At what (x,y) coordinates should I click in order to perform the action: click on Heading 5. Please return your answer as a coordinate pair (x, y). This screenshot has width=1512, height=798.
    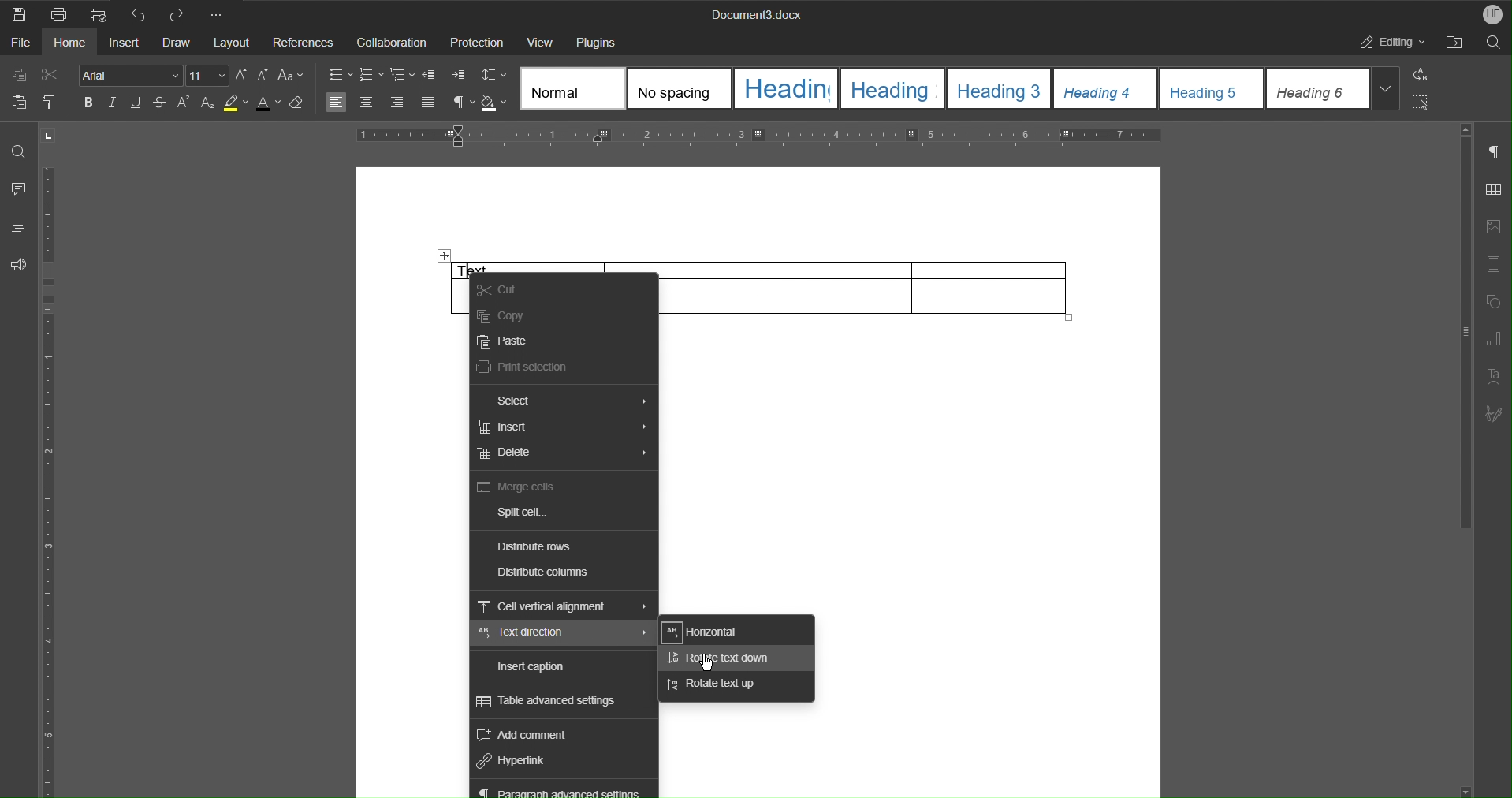
    Looking at the image, I should click on (1212, 89).